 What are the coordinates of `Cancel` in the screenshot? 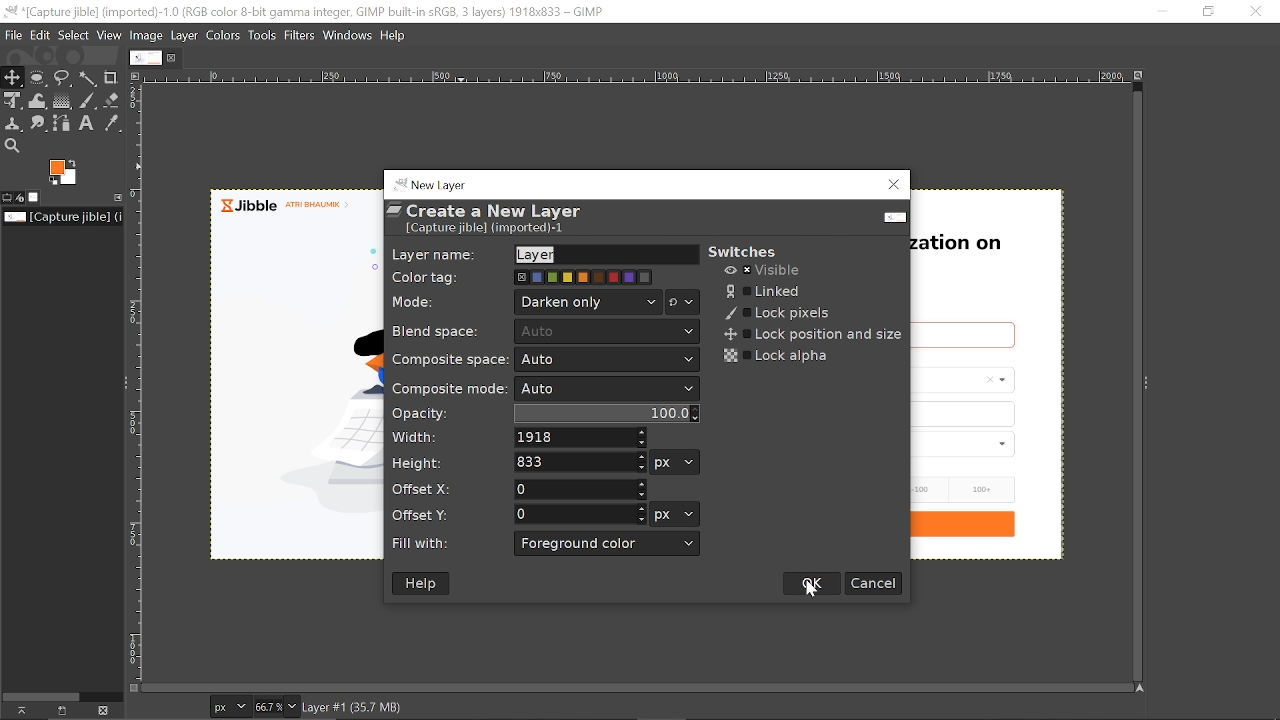 It's located at (873, 583).